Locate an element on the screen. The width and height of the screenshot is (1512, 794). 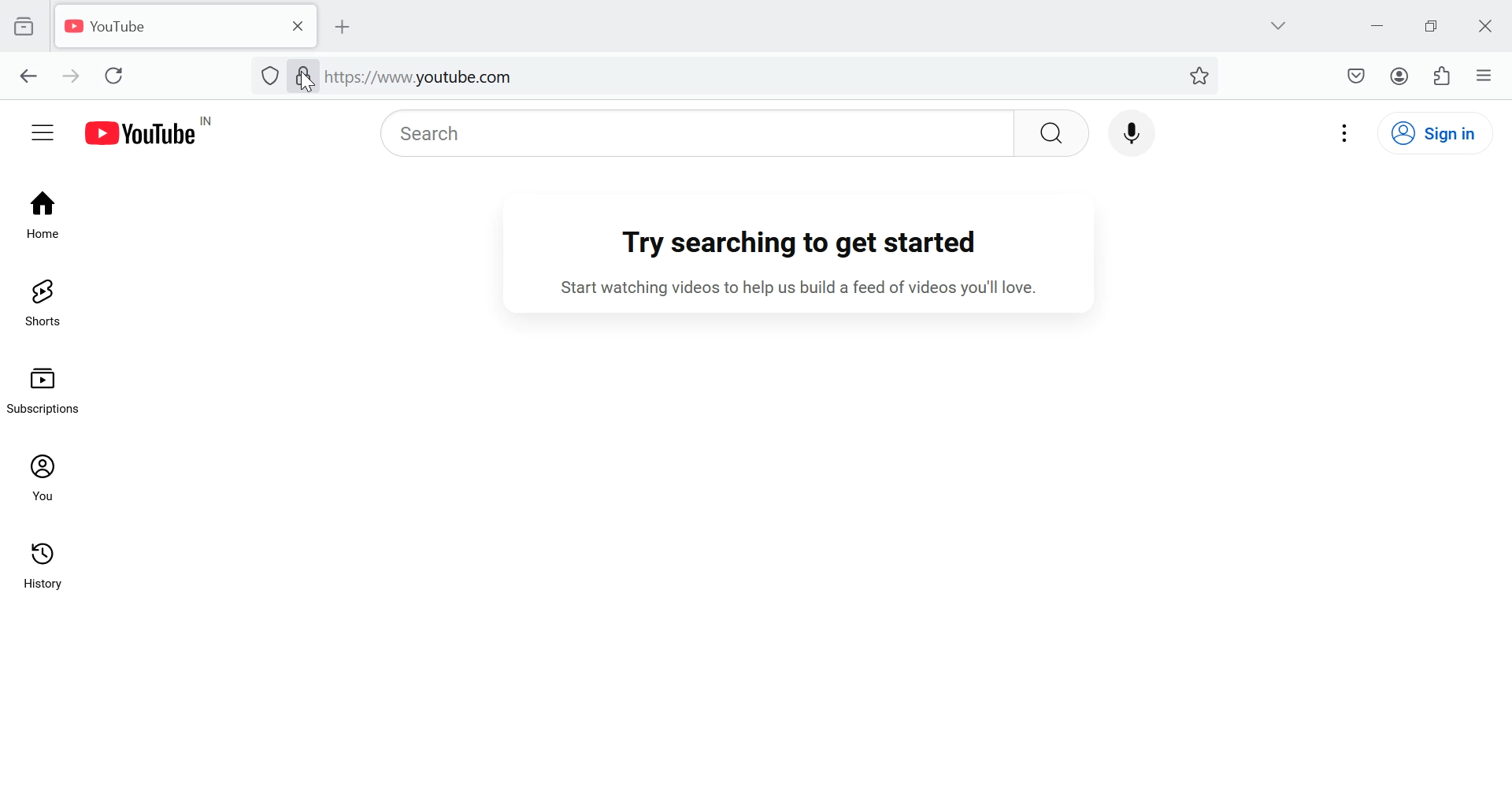
Go forward one page. Right-click or pull down to show history is located at coordinates (69, 75).